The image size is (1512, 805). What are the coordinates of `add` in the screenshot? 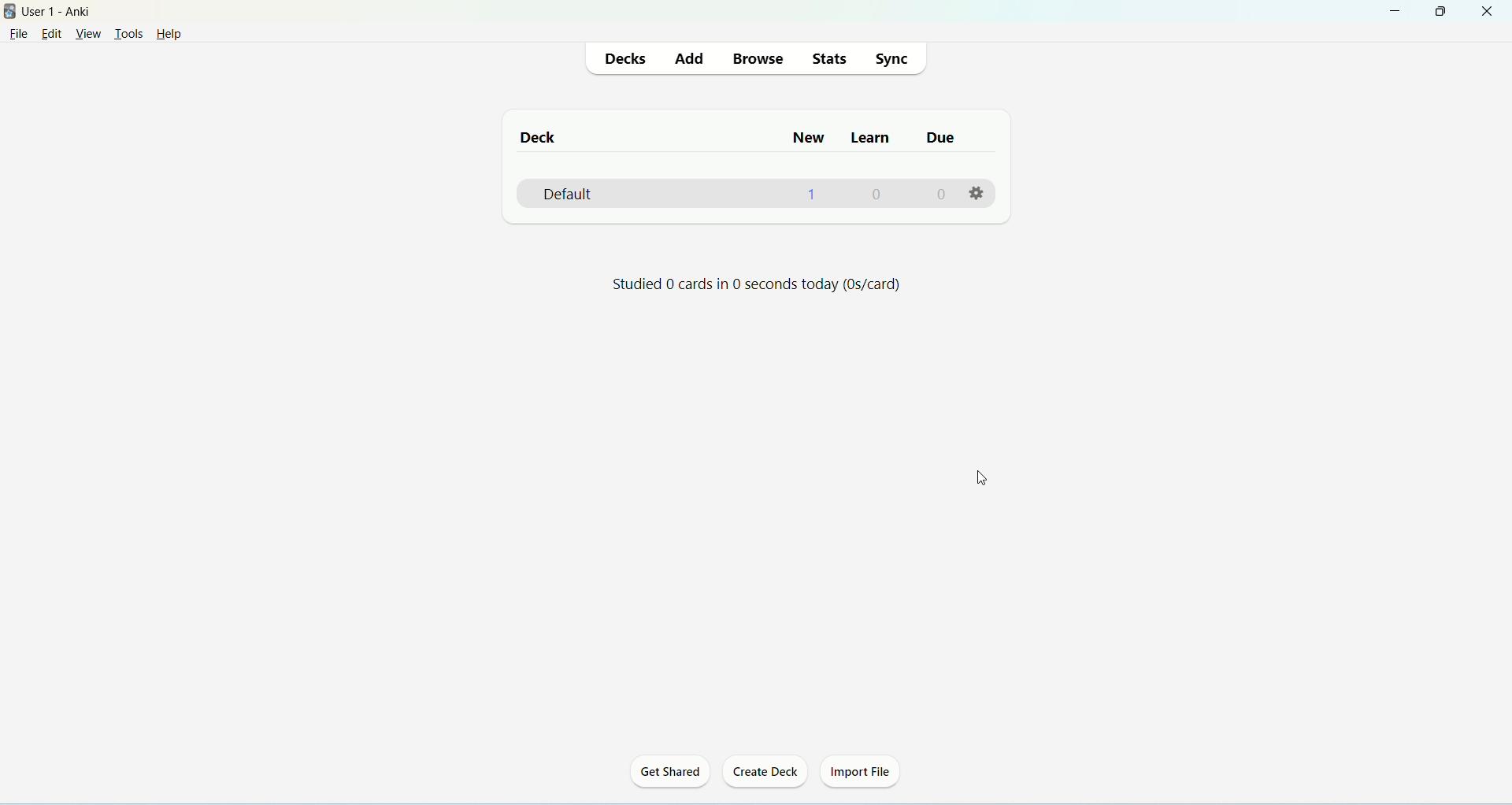 It's located at (692, 58).